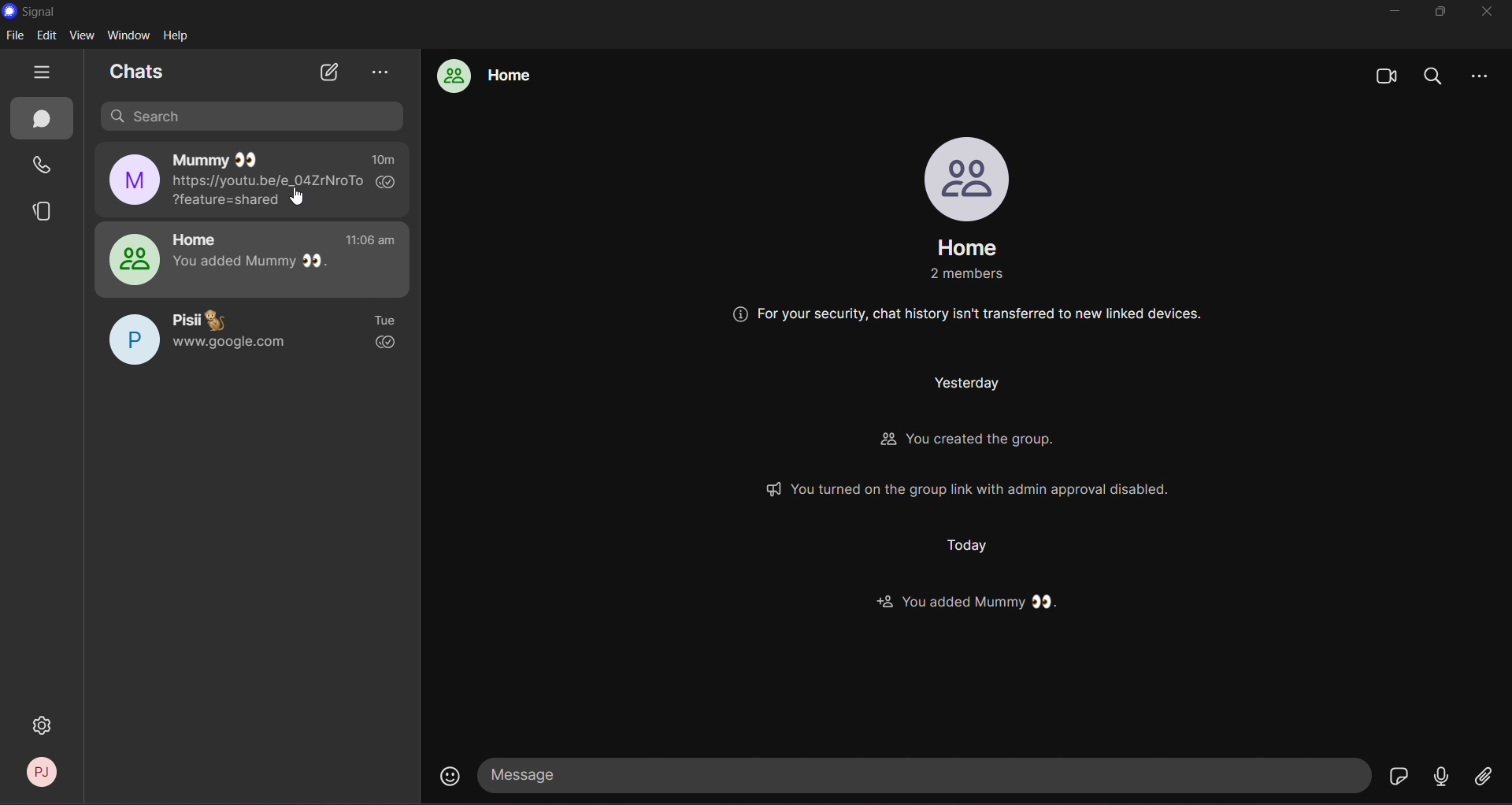 The height and width of the screenshot is (805, 1512). What do you see at coordinates (34, 773) in the screenshot?
I see `profile` at bounding box center [34, 773].